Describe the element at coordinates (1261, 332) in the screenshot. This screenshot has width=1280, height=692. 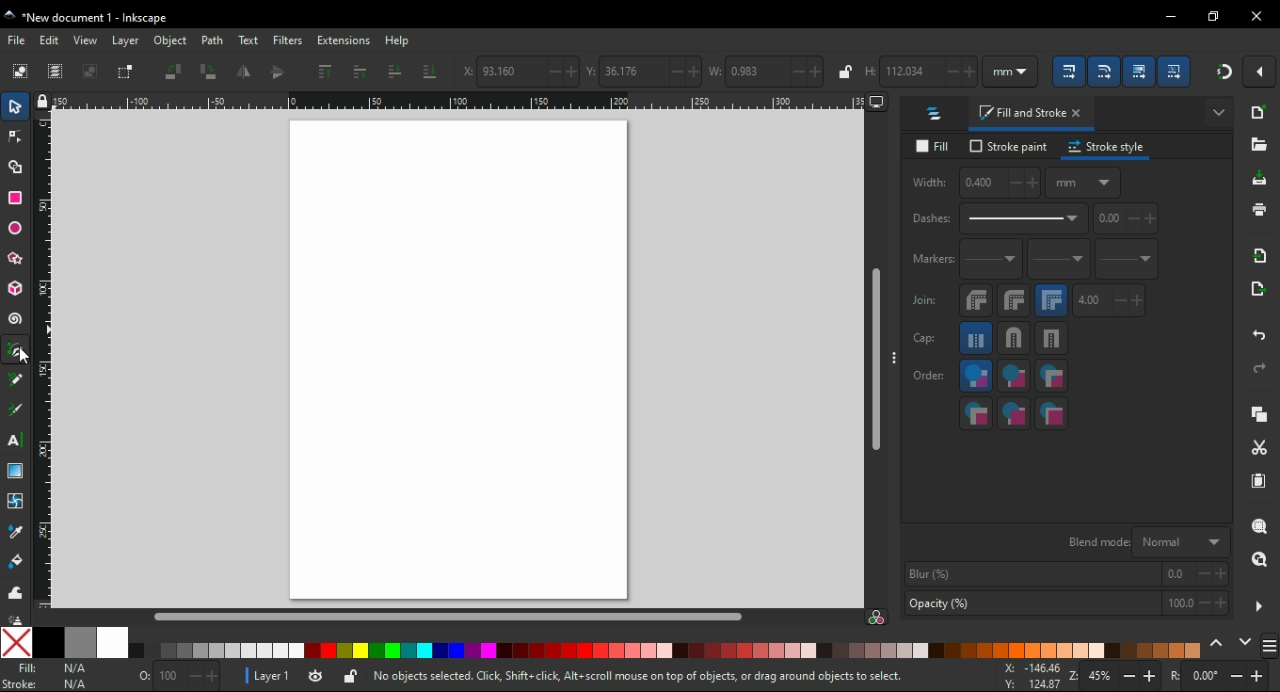
I see `undo` at that location.